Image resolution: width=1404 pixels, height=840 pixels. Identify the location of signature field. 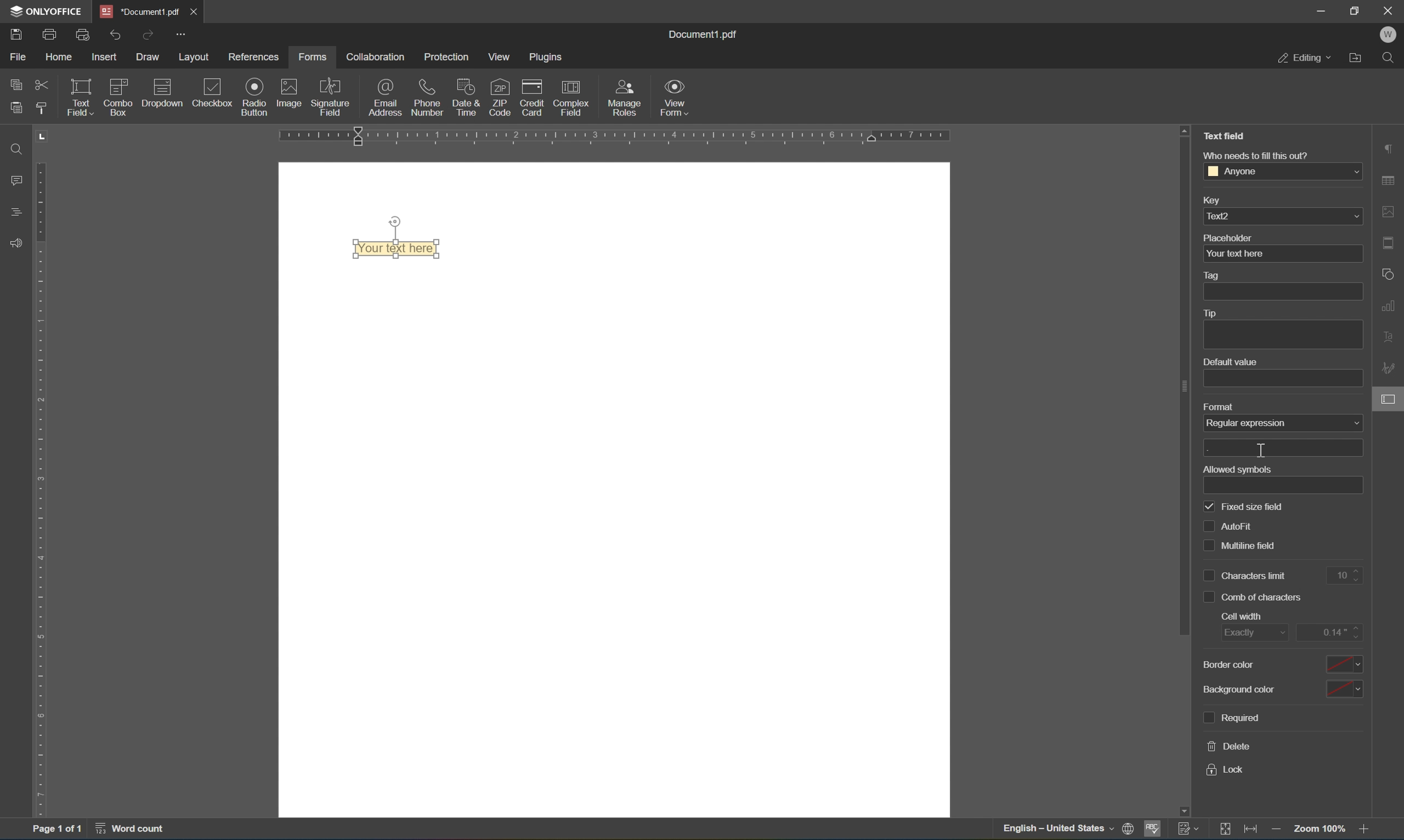
(331, 97).